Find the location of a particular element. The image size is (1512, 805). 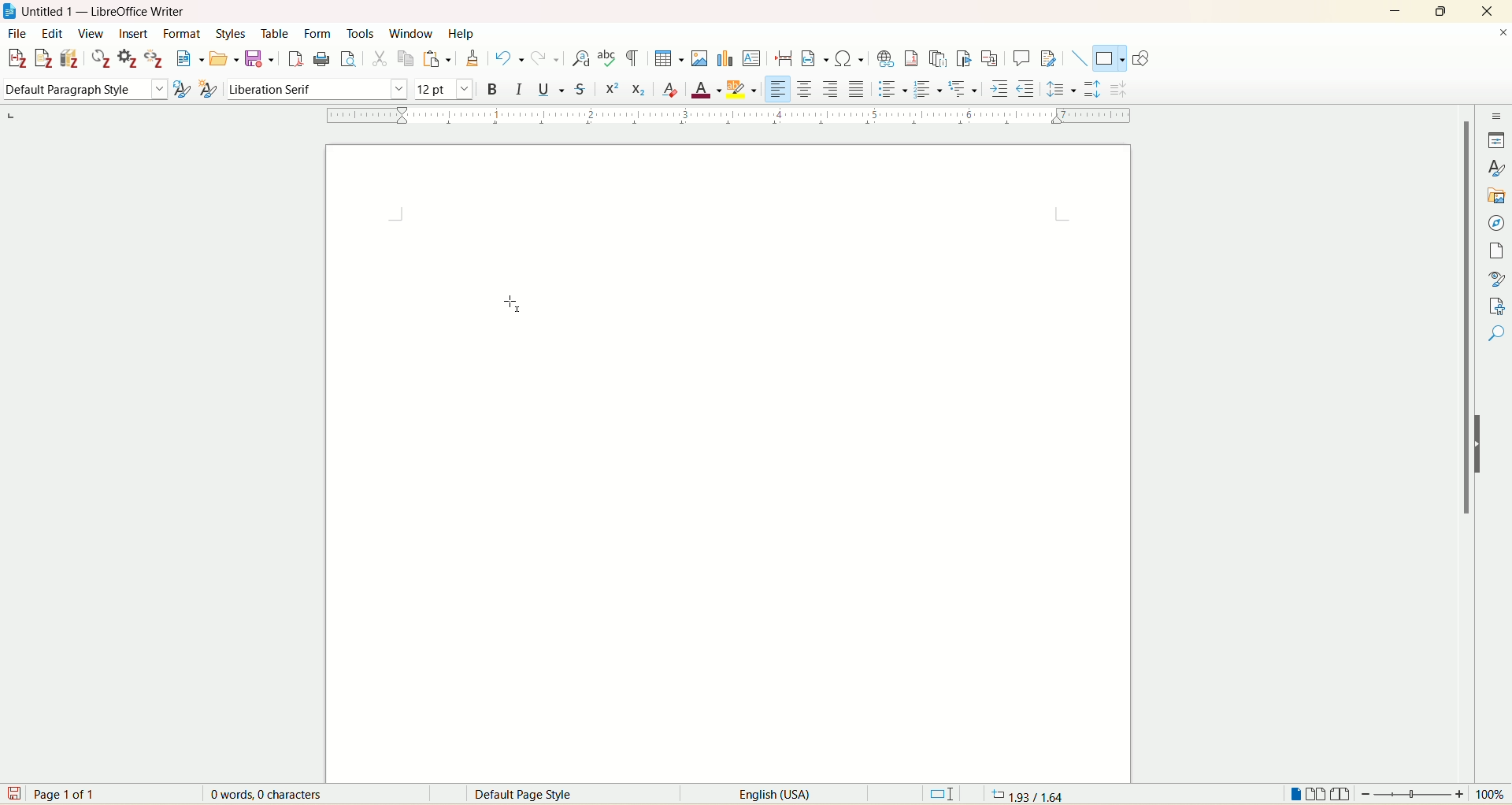

form is located at coordinates (321, 35).